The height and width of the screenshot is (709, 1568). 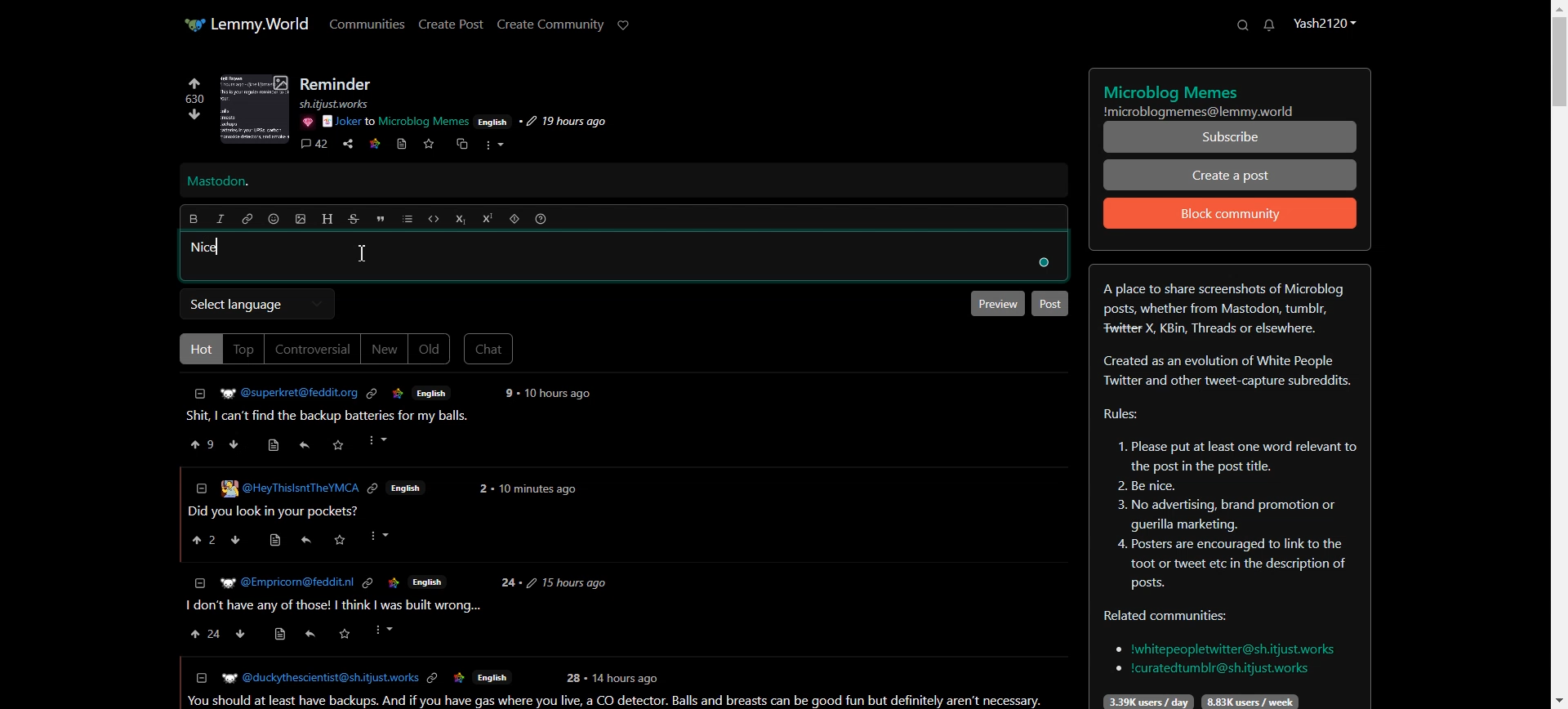 I want to click on , so click(x=308, y=636).